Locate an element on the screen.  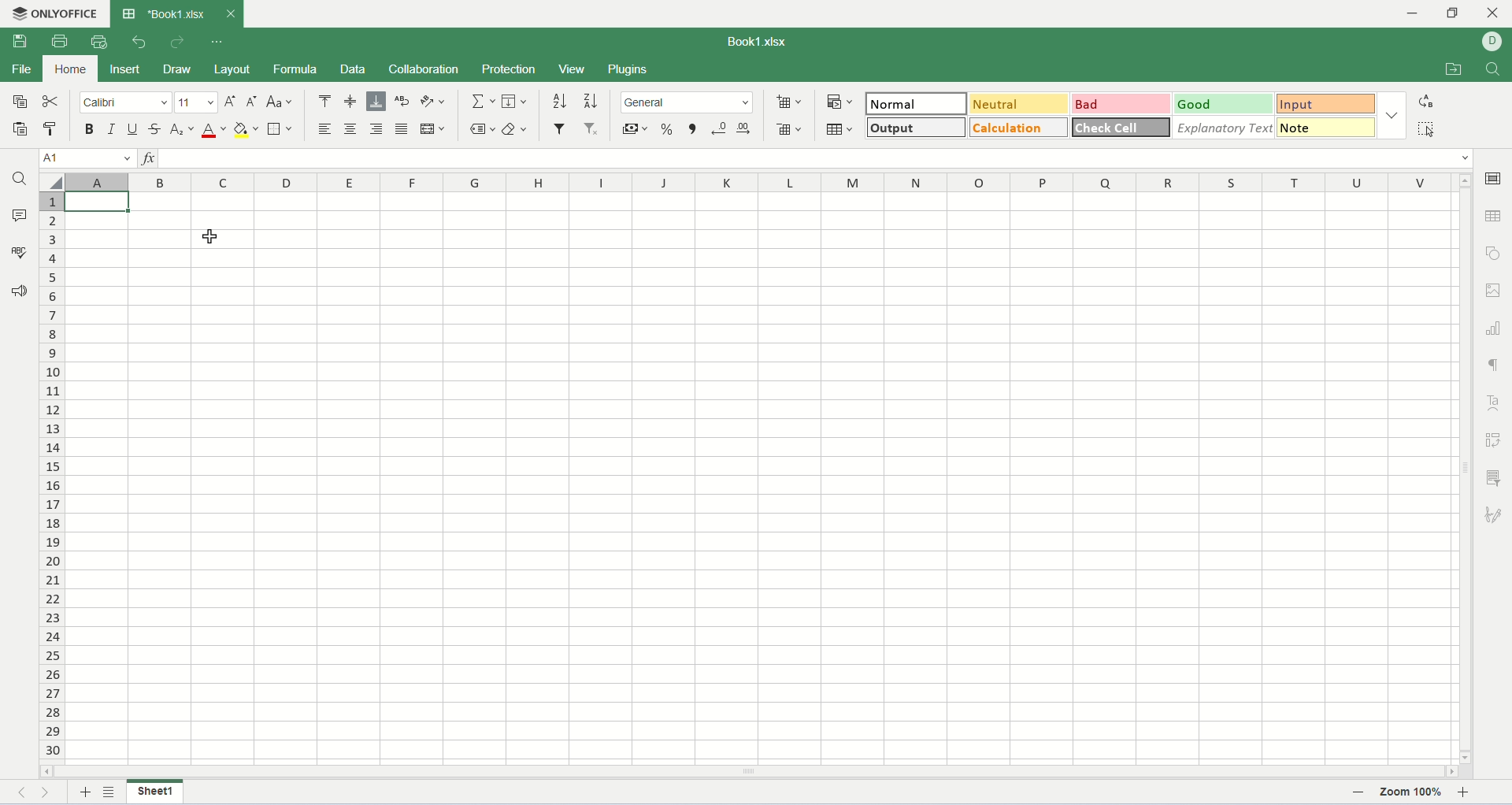
bad is located at coordinates (1119, 104).